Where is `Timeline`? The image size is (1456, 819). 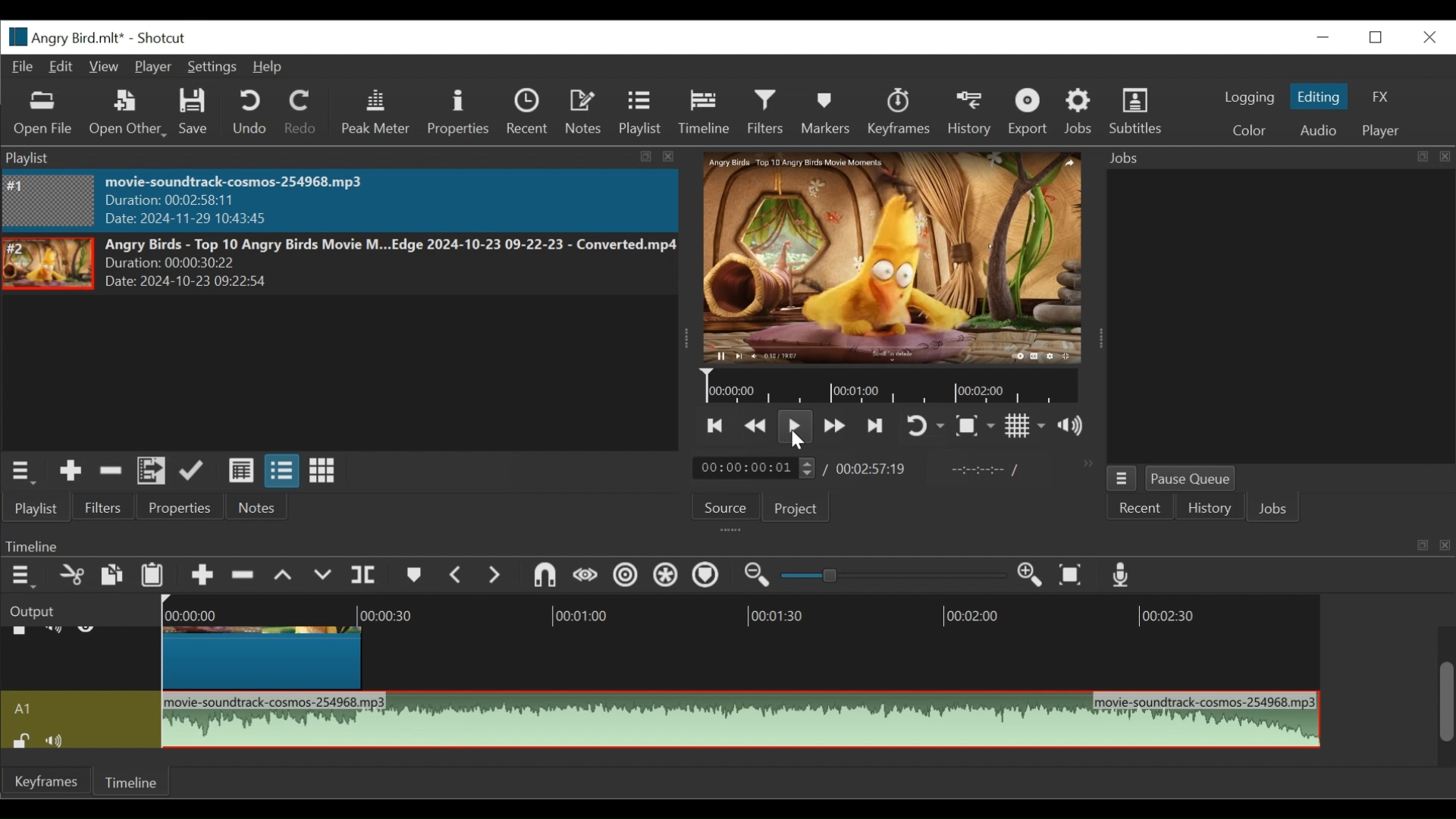
Timeline is located at coordinates (715, 610).